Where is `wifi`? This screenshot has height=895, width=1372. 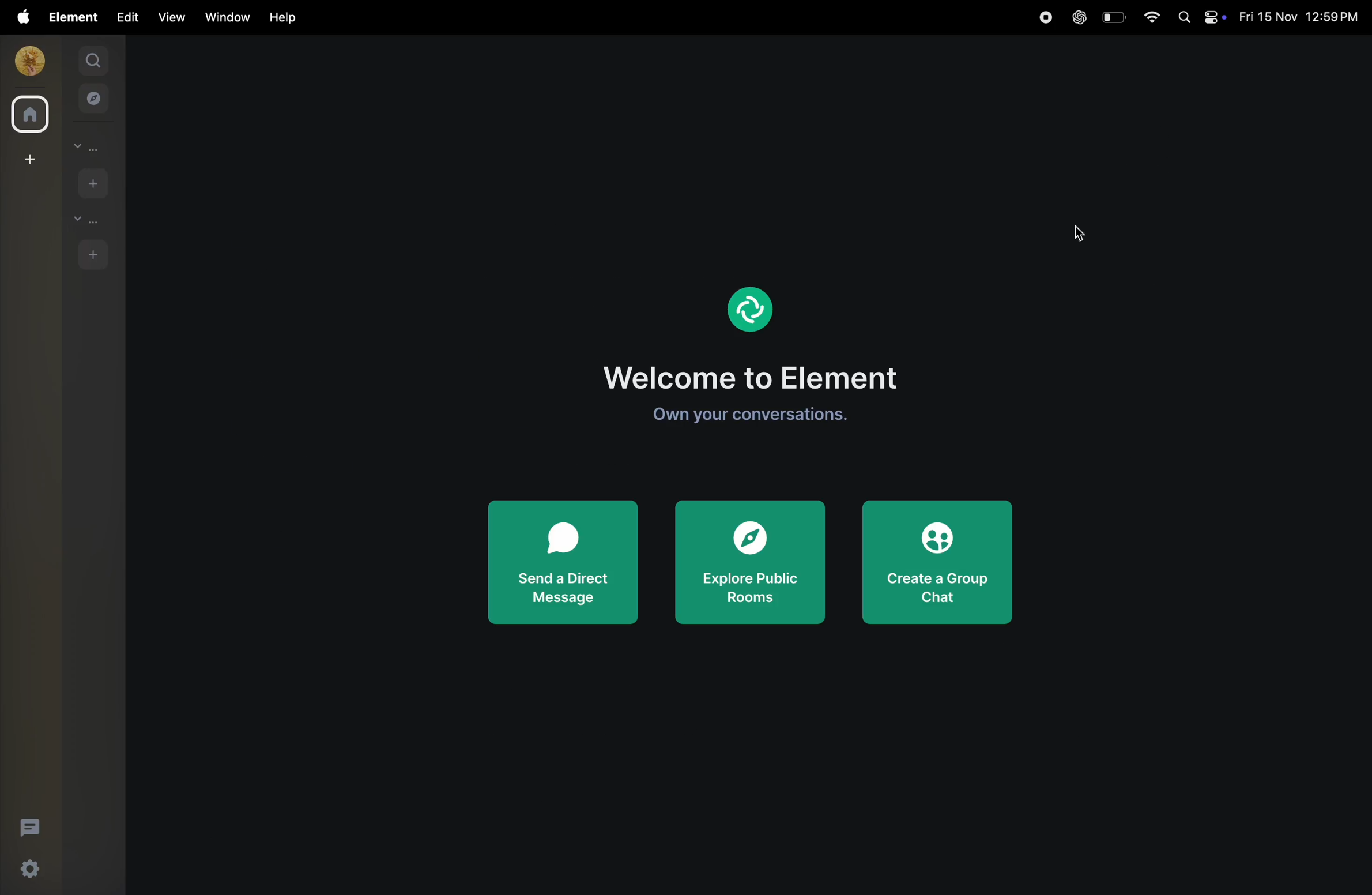
wifi is located at coordinates (1153, 18).